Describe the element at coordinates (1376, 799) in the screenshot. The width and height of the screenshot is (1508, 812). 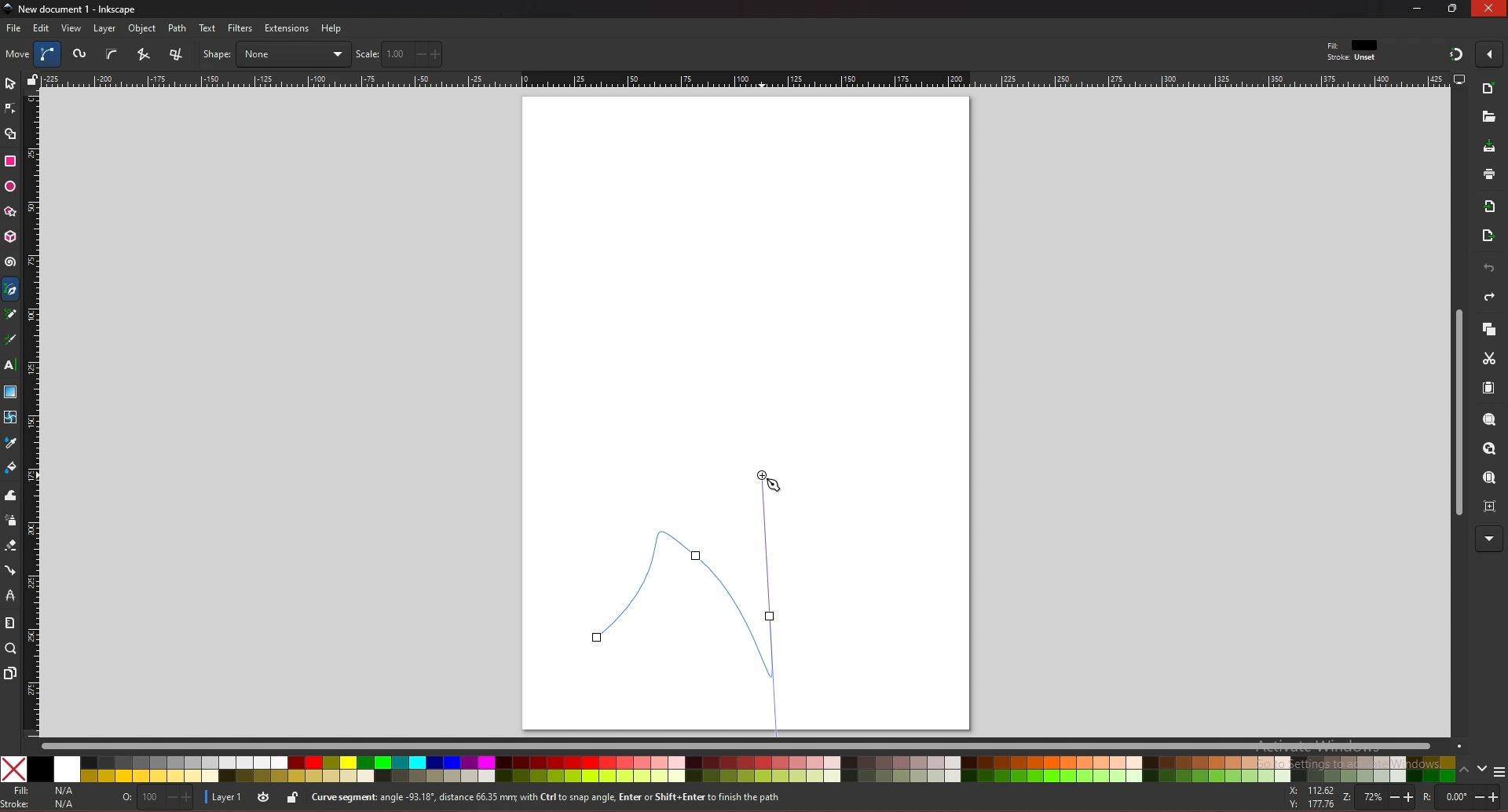
I see `zoom` at that location.